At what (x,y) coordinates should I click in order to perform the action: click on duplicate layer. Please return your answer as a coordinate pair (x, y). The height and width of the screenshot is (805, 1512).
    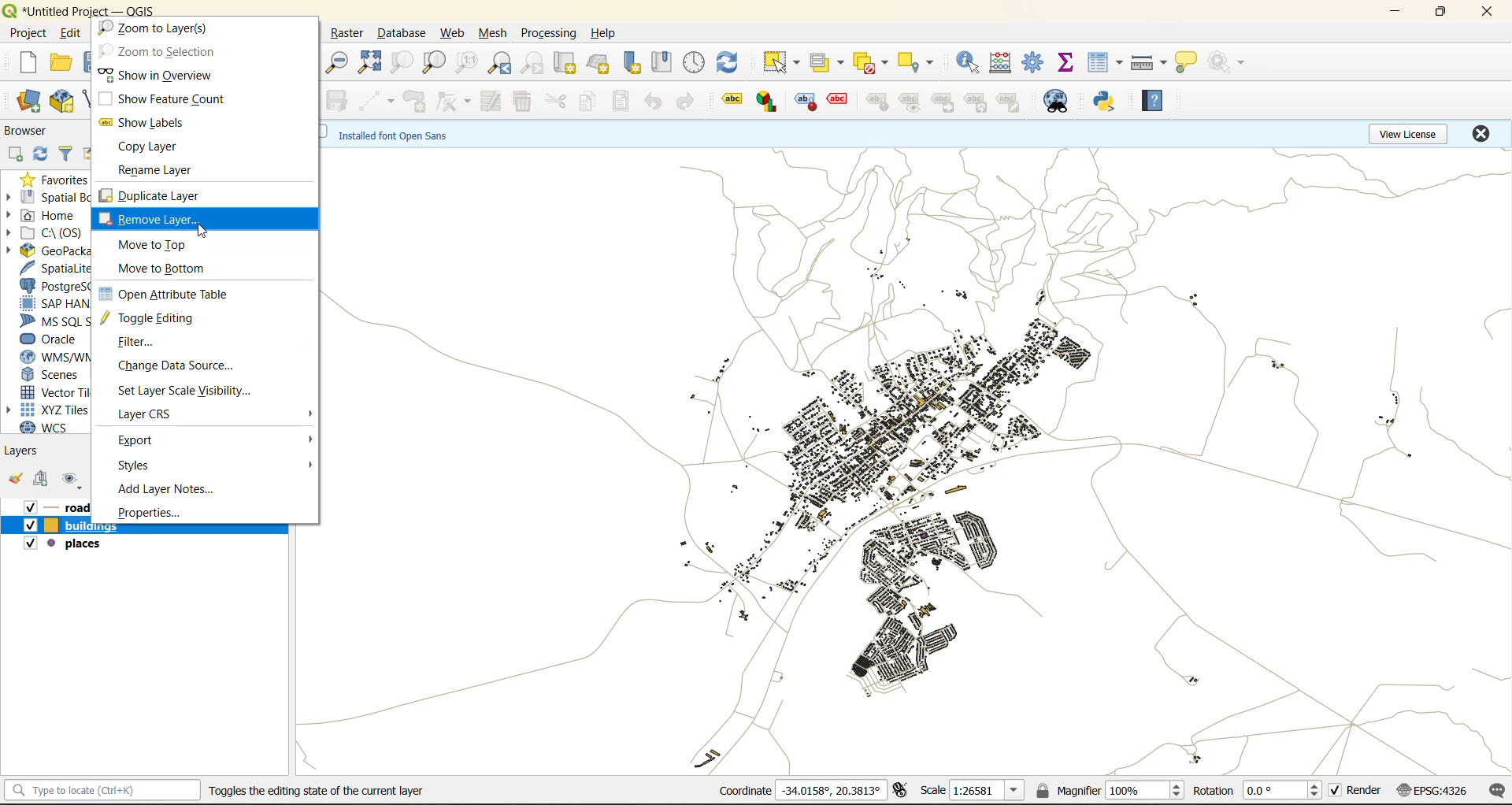
    Looking at the image, I should click on (169, 196).